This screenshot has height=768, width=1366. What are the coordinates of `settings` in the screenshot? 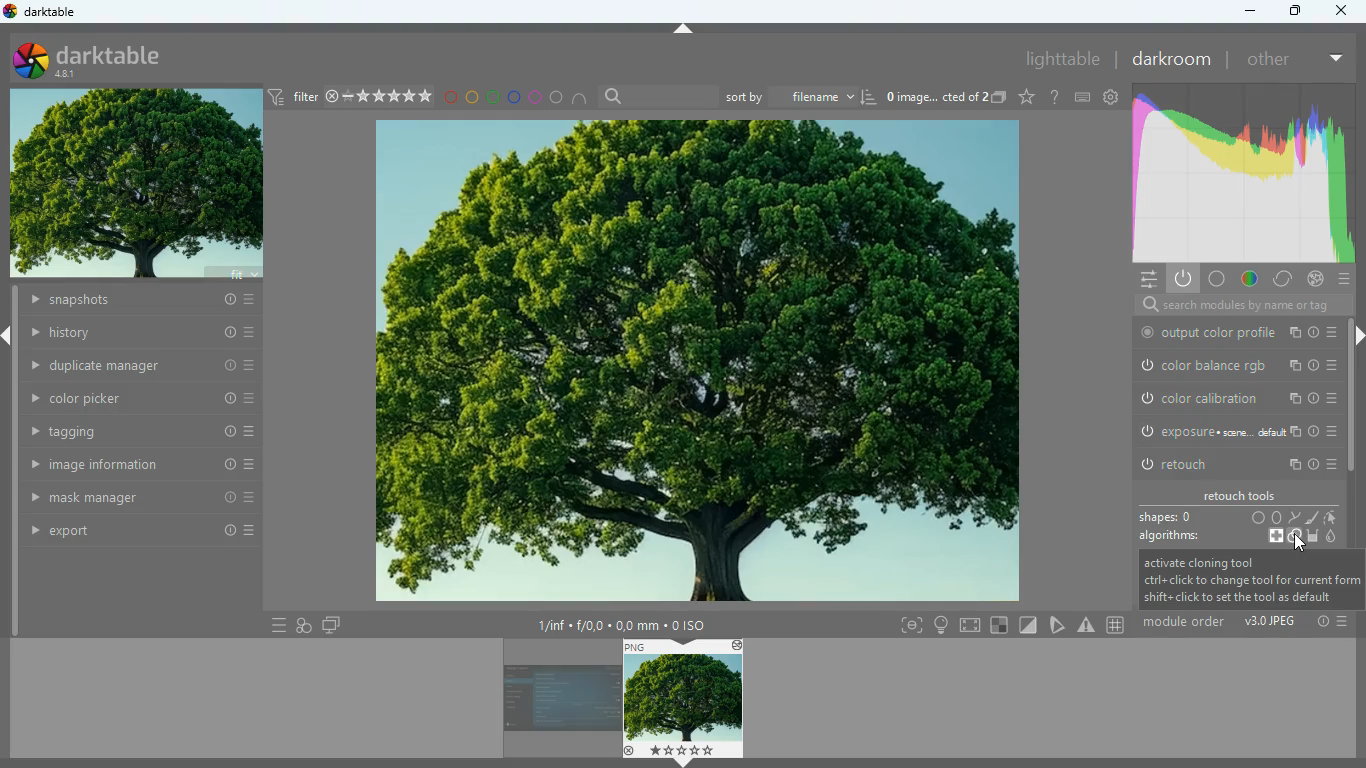 It's located at (1110, 99).